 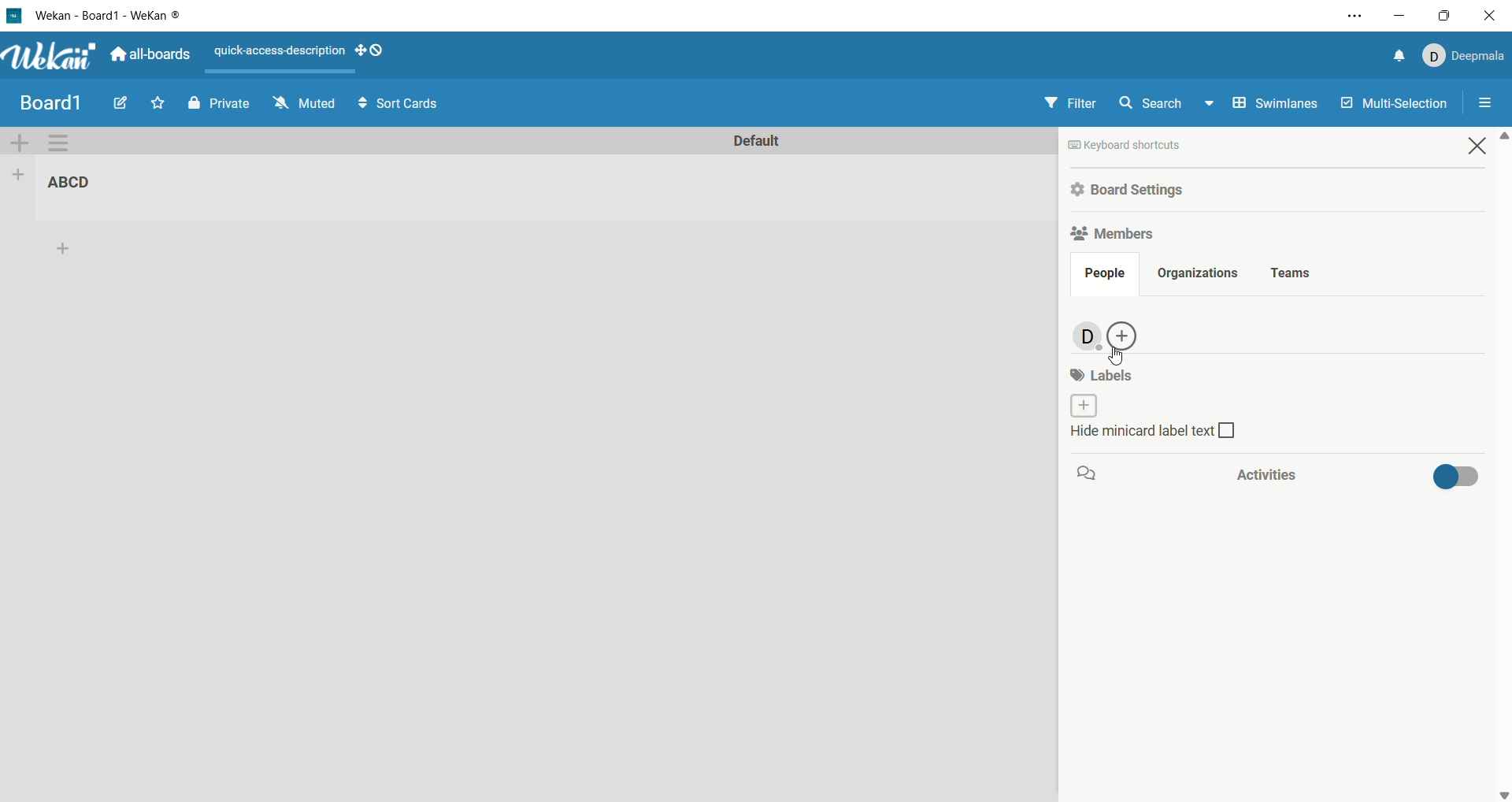 I want to click on labels, so click(x=1103, y=375).